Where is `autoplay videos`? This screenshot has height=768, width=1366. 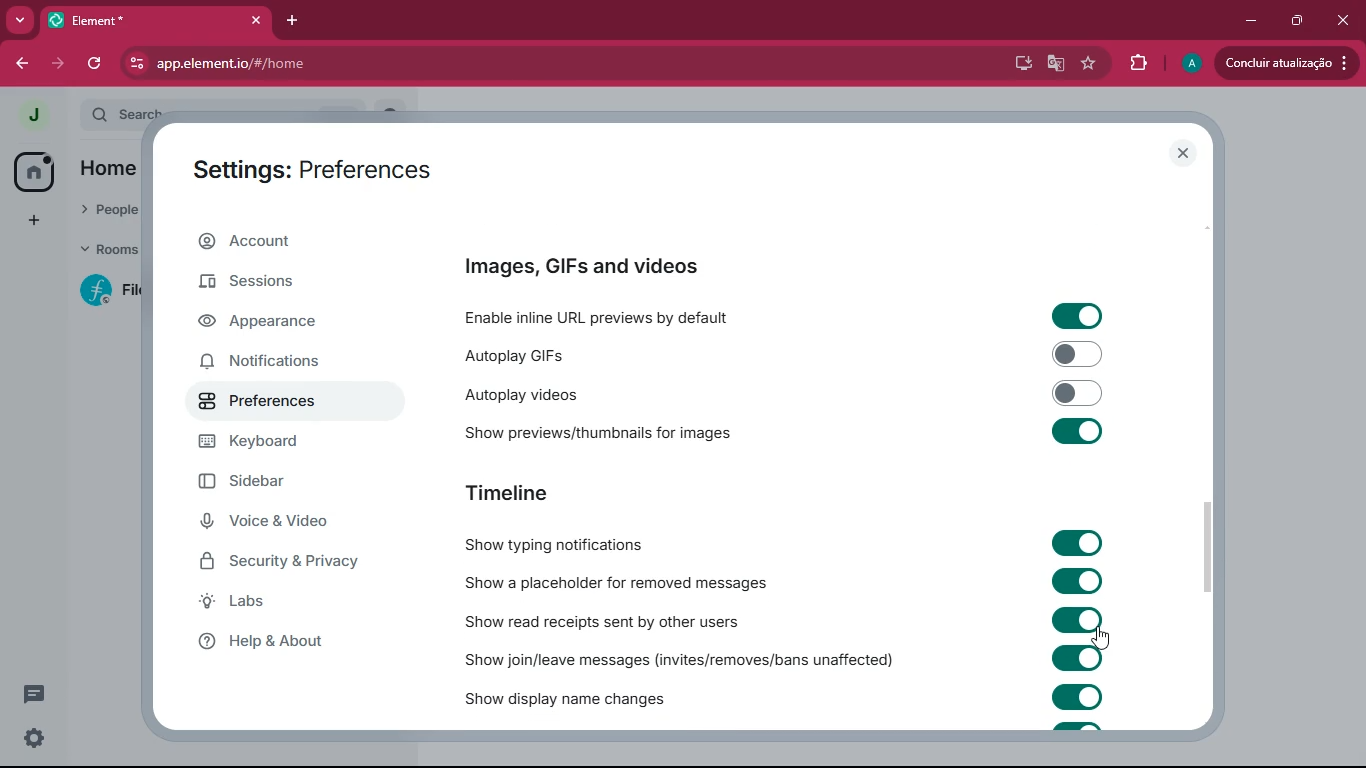
autoplay videos is located at coordinates (629, 392).